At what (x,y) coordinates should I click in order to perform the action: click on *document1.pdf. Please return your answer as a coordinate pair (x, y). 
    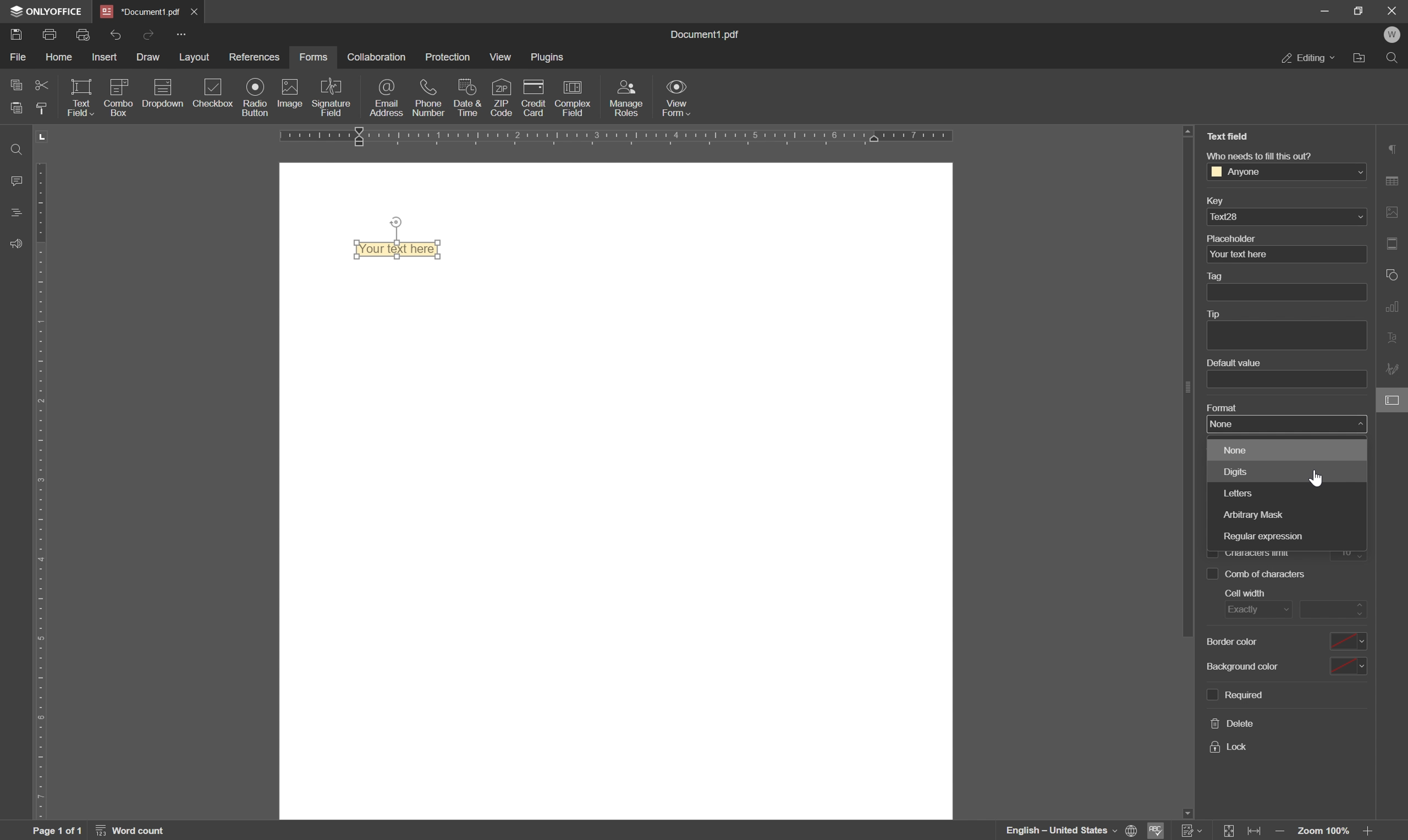
    Looking at the image, I should click on (139, 10).